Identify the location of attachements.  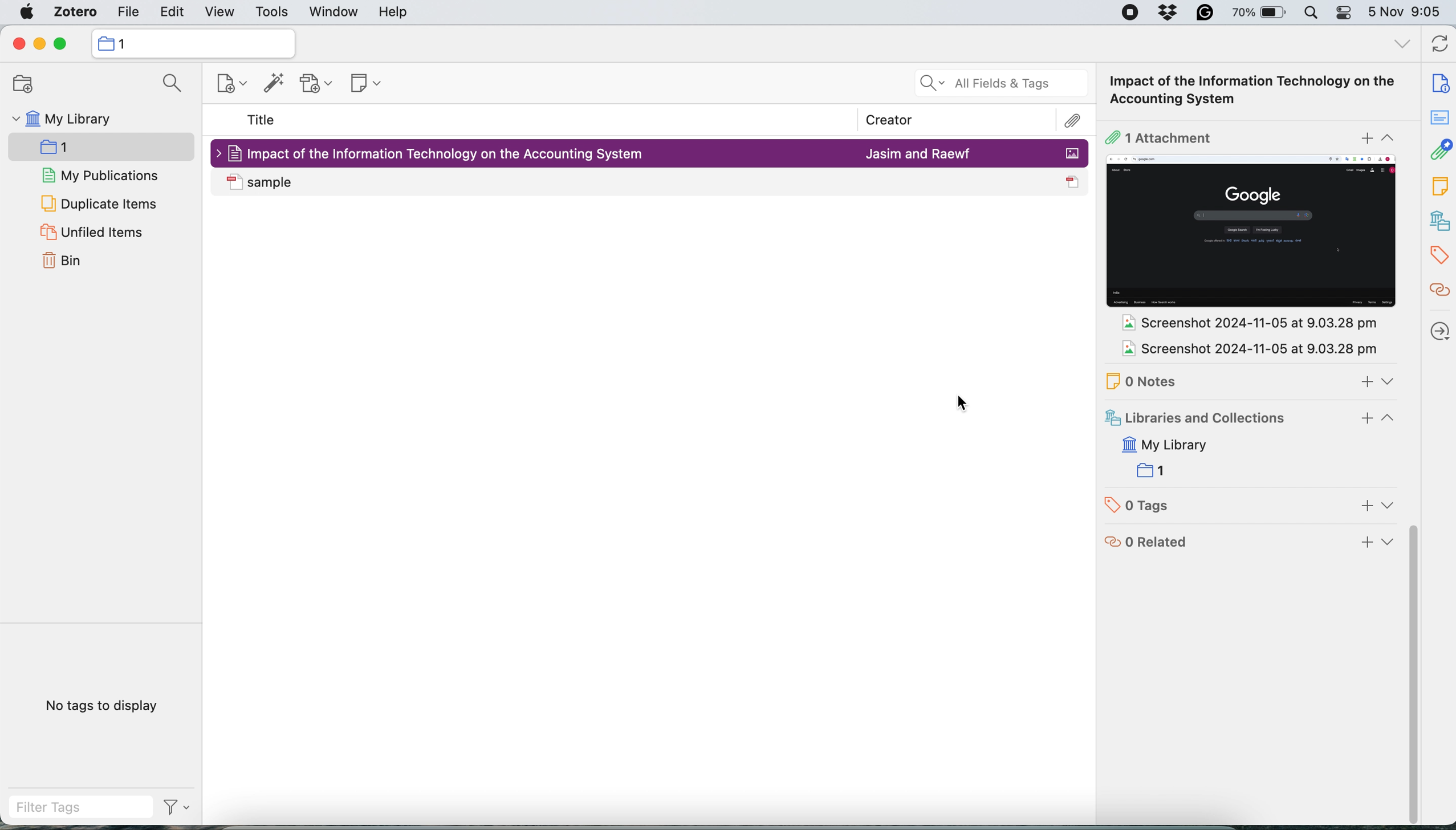
(1441, 287).